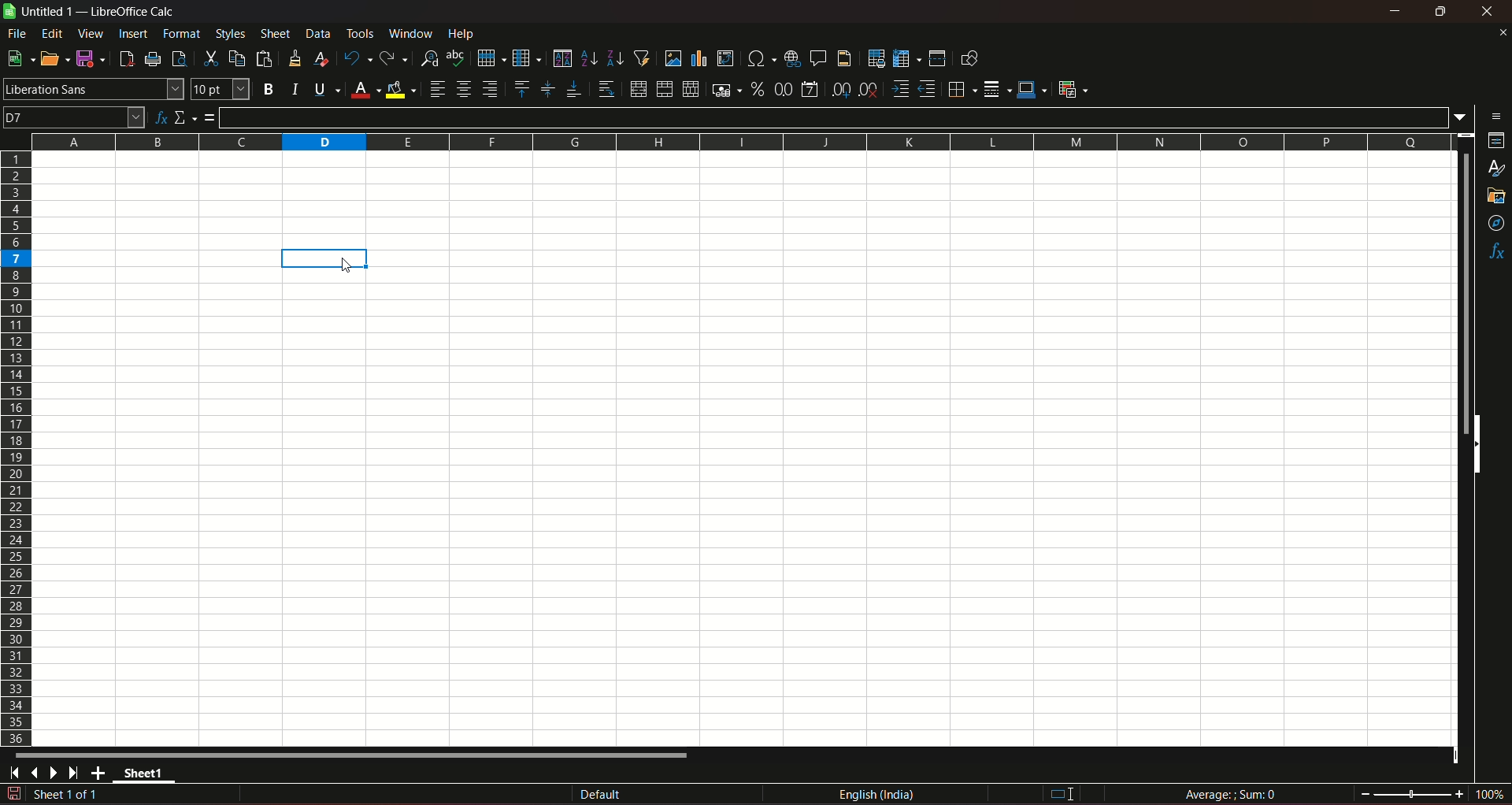 This screenshot has width=1512, height=805. What do you see at coordinates (87, 57) in the screenshot?
I see `save` at bounding box center [87, 57].